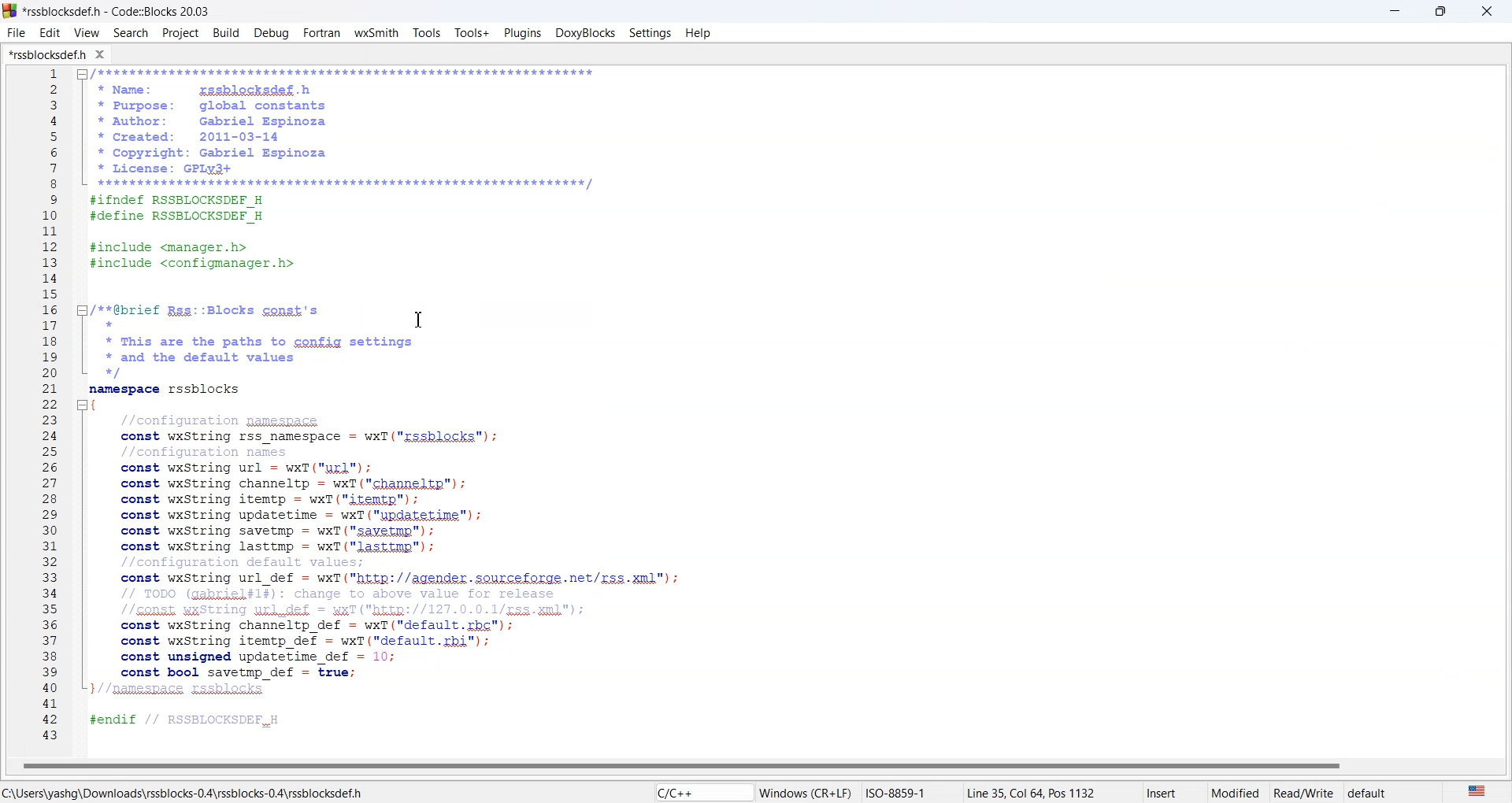  I want to click on Debug, so click(271, 33).